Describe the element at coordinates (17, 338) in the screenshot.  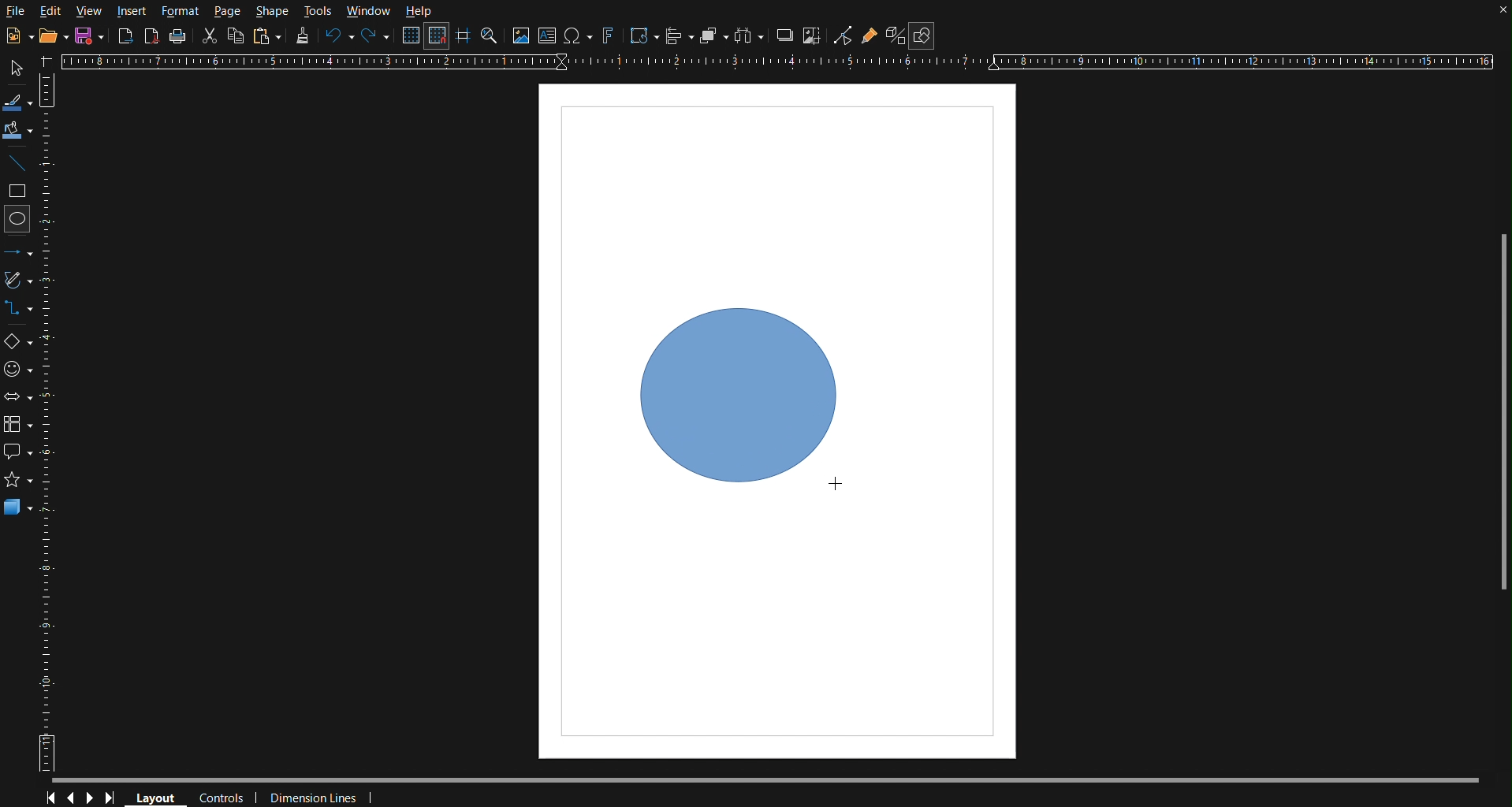
I see `Basic Shapes` at that location.